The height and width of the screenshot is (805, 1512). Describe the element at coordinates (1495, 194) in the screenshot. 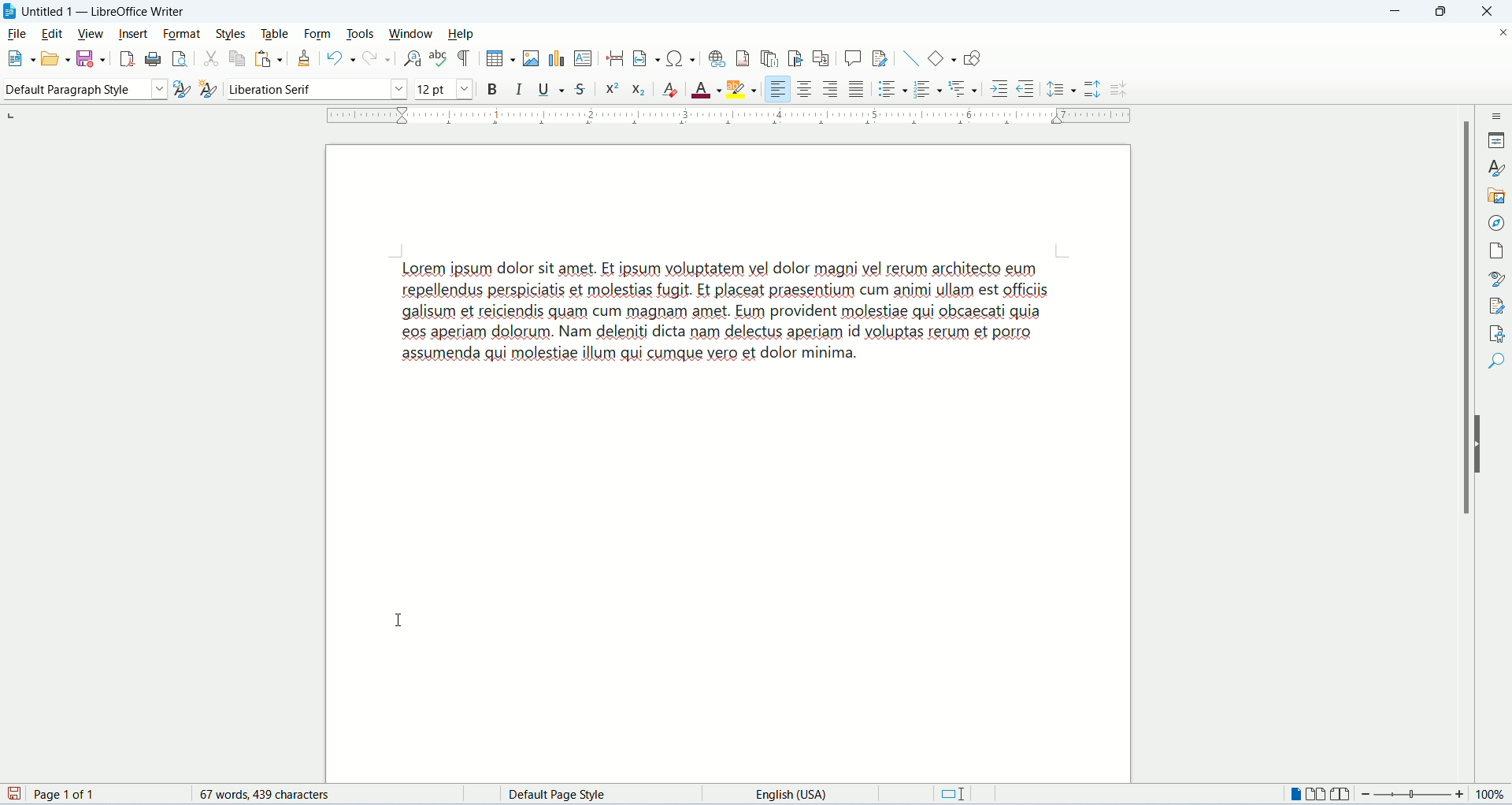

I see `gallery` at that location.